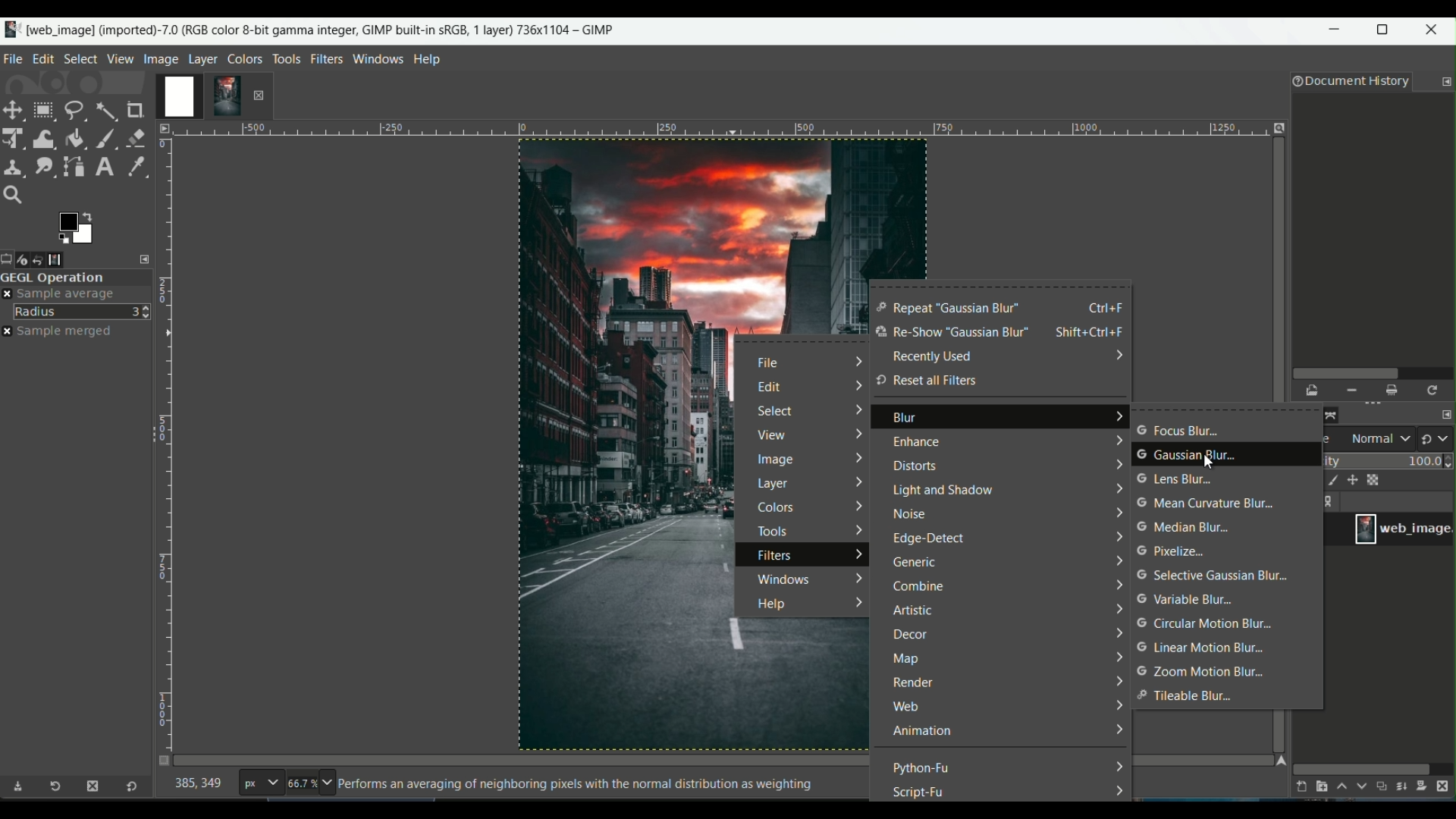 Image resolution: width=1456 pixels, height=819 pixels. I want to click on eraser tool, so click(137, 136).